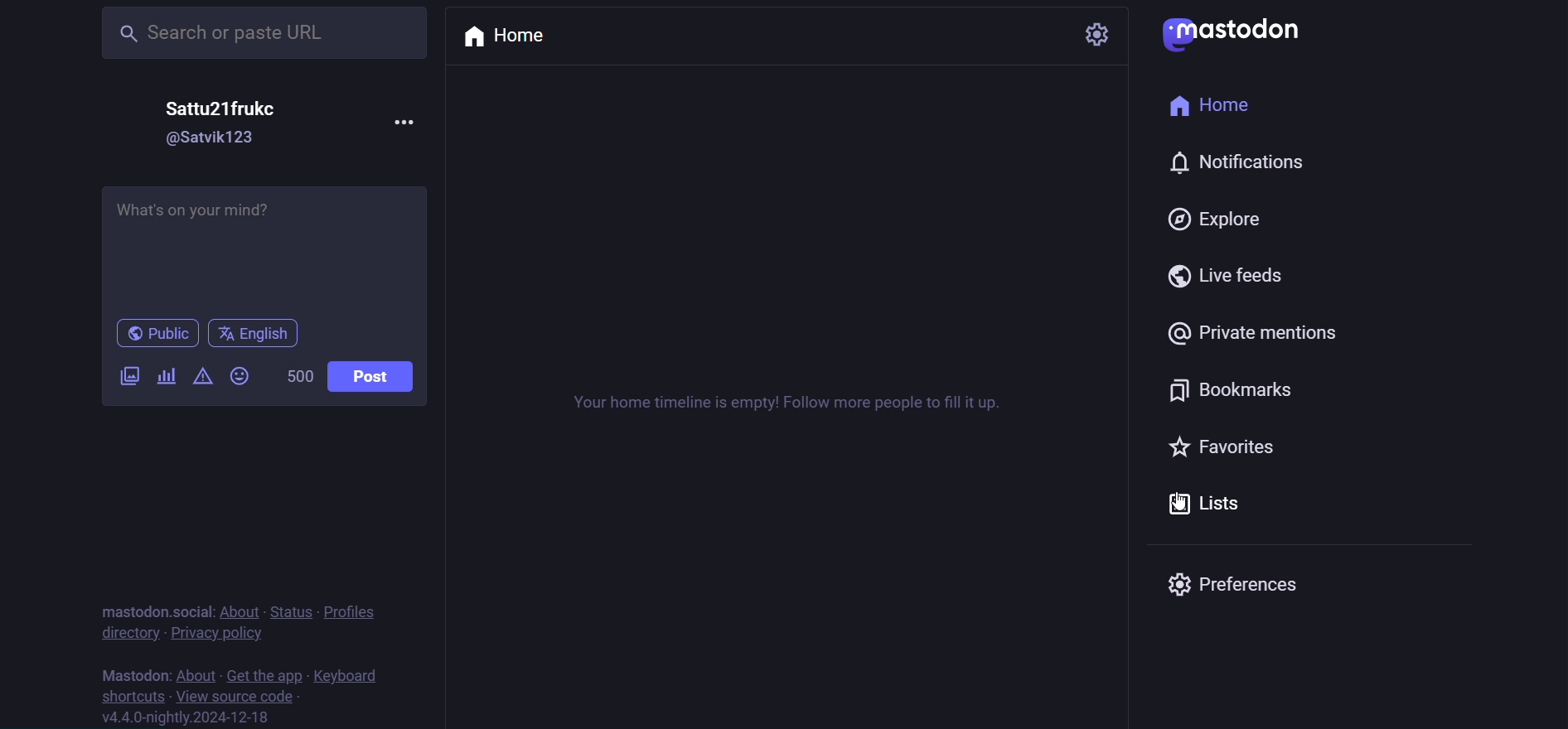 Image resolution: width=1568 pixels, height=729 pixels. What do you see at coordinates (150, 333) in the screenshot?
I see `public` at bounding box center [150, 333].